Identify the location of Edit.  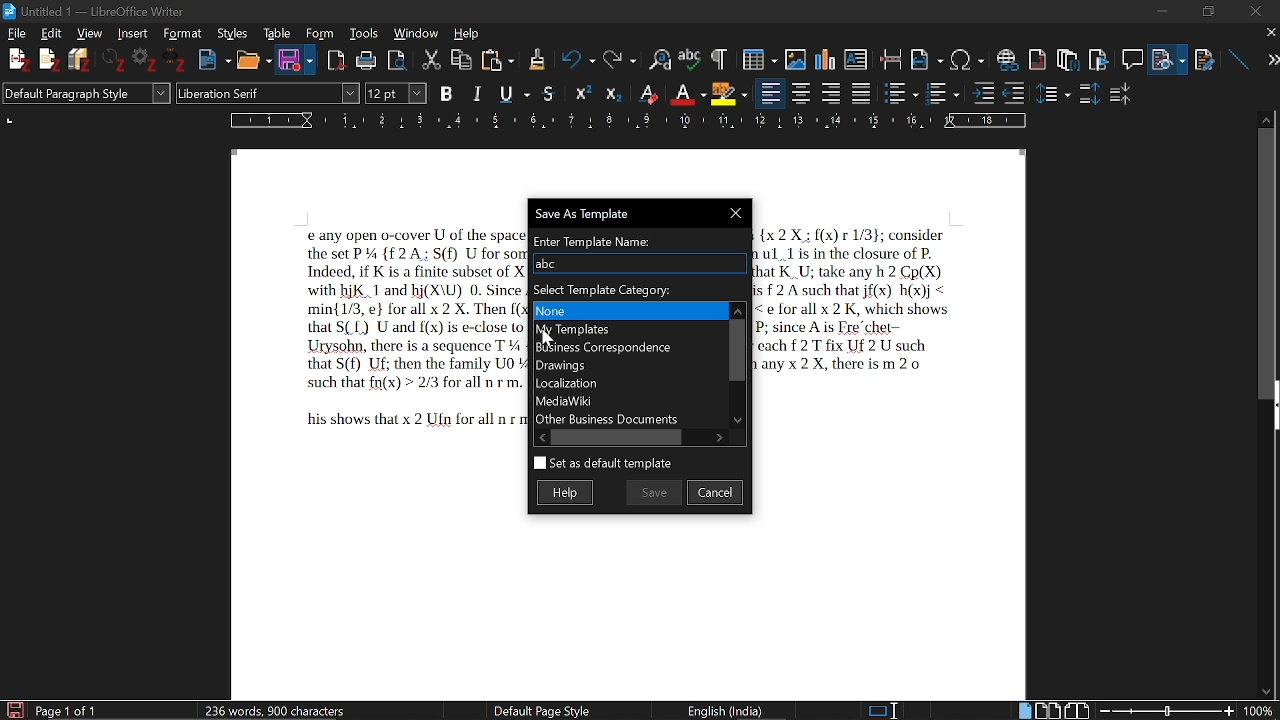
(54, 33).